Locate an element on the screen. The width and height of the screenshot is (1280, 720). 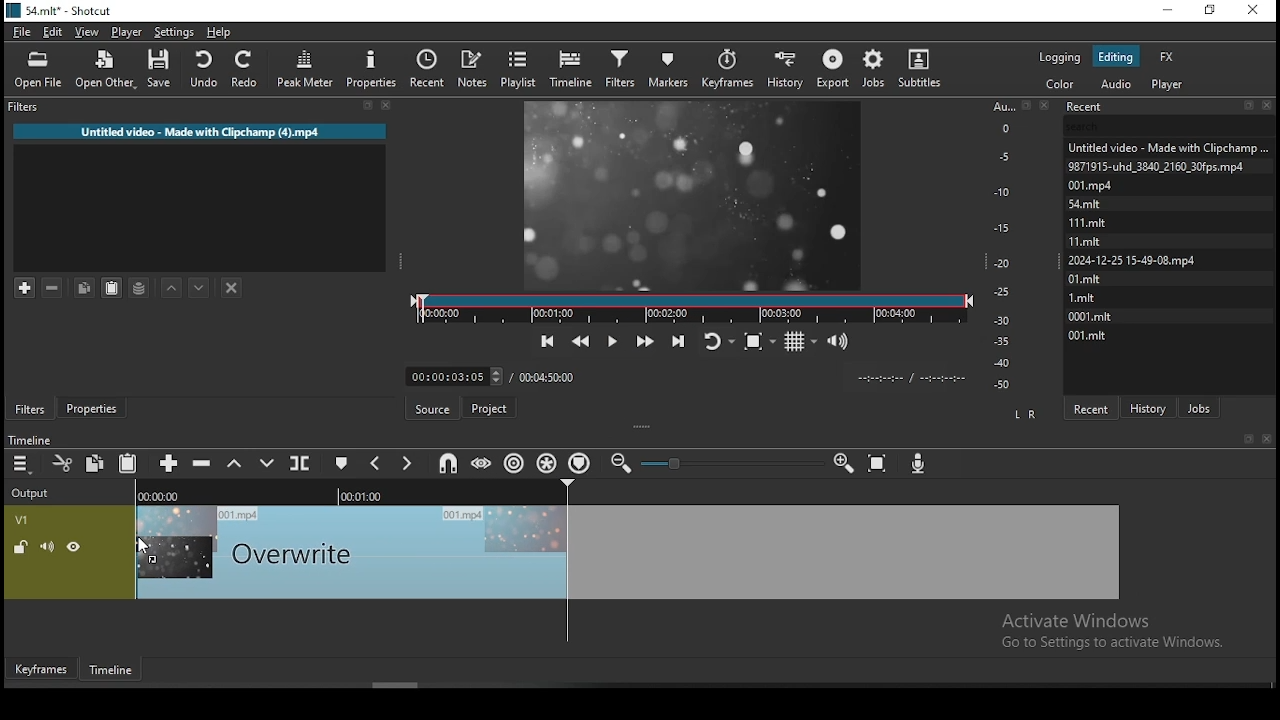
overwrite is located at coordinates (267, 462).